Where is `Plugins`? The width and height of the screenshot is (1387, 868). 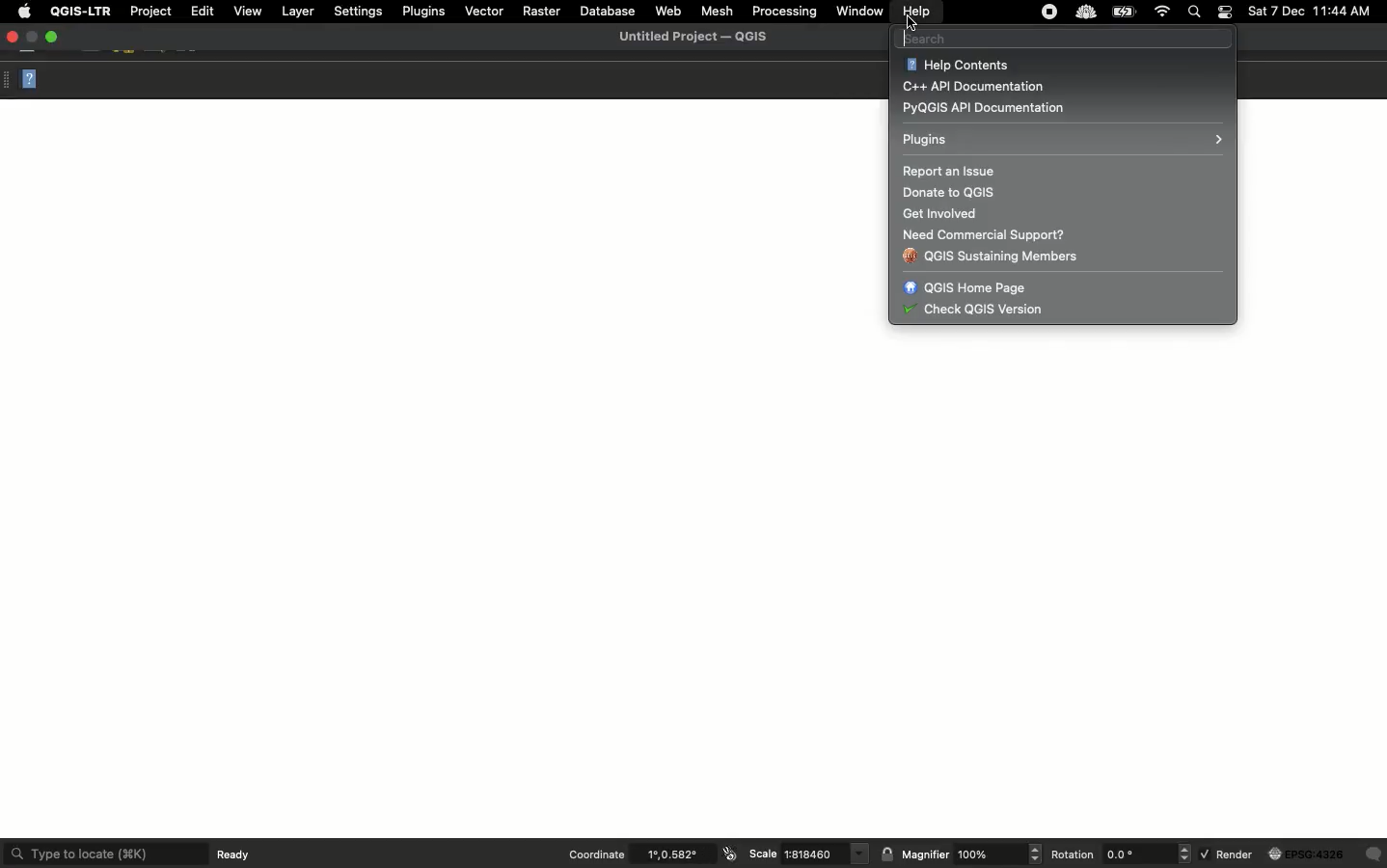 Plugins is located at coordinates (423, 10).